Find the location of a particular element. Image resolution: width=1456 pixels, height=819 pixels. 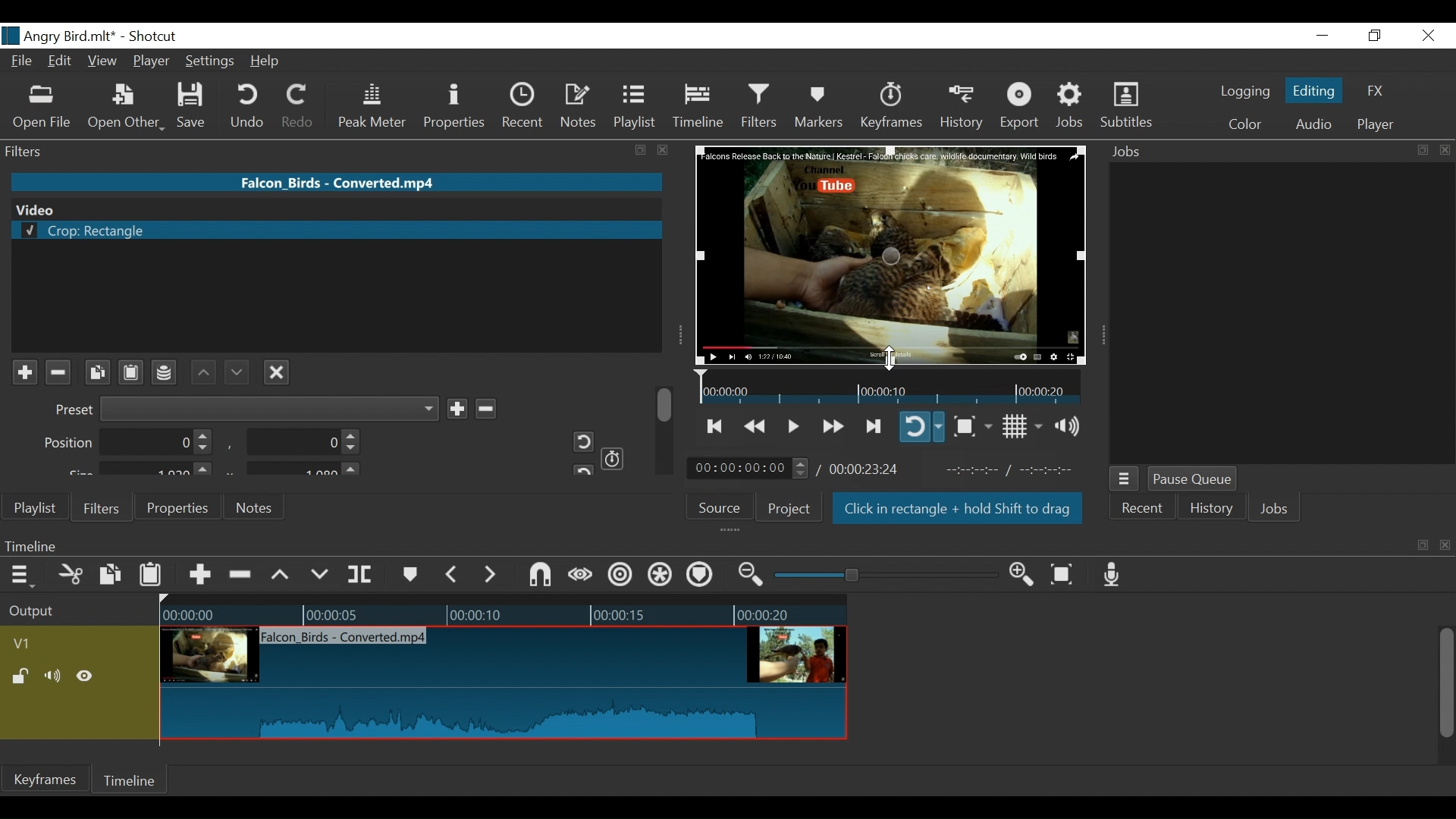

Player is located at coordinates (1376, 125).